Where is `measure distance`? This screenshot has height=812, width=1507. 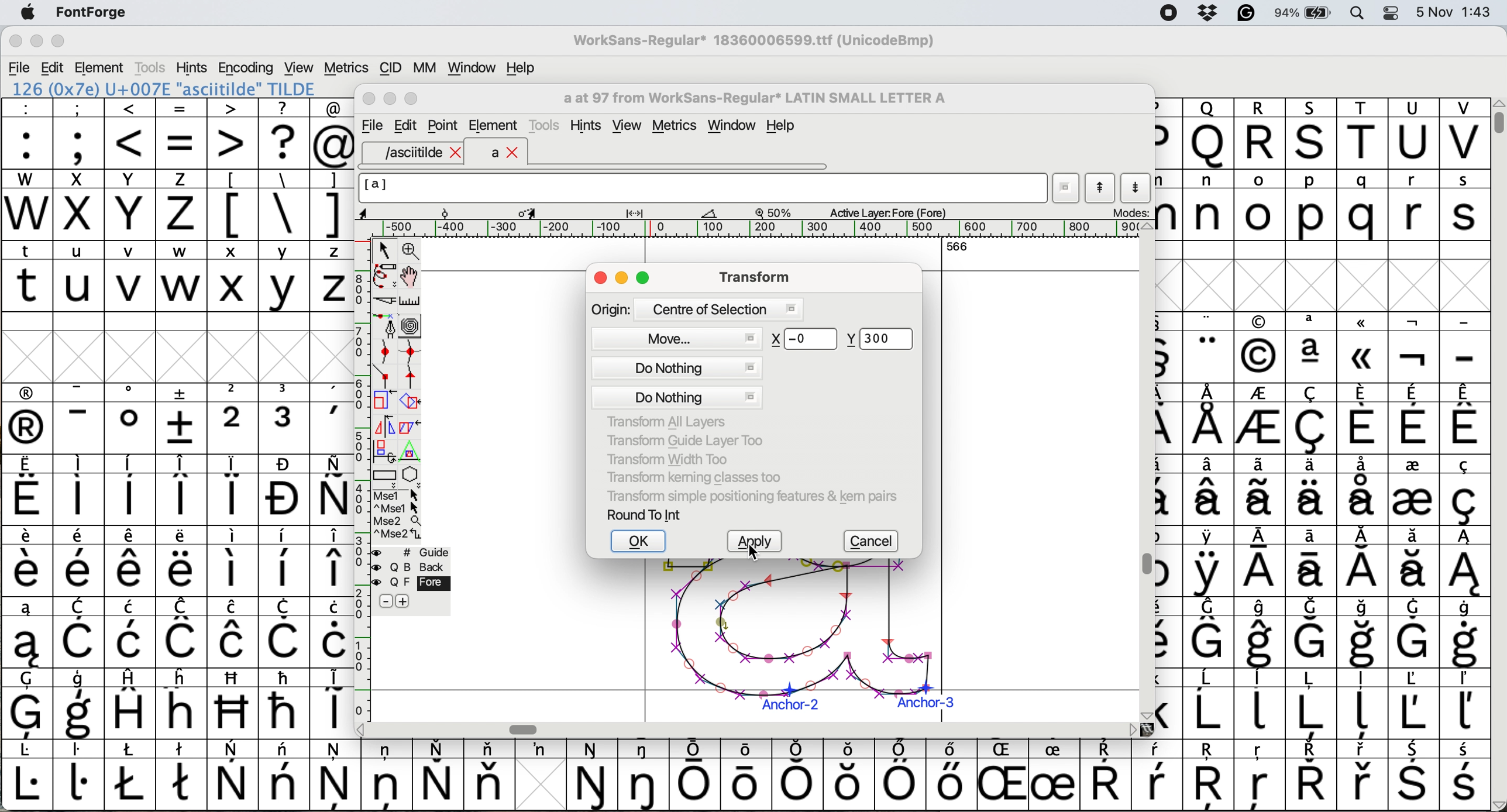
measure distance is located at coordinates (411, 301).